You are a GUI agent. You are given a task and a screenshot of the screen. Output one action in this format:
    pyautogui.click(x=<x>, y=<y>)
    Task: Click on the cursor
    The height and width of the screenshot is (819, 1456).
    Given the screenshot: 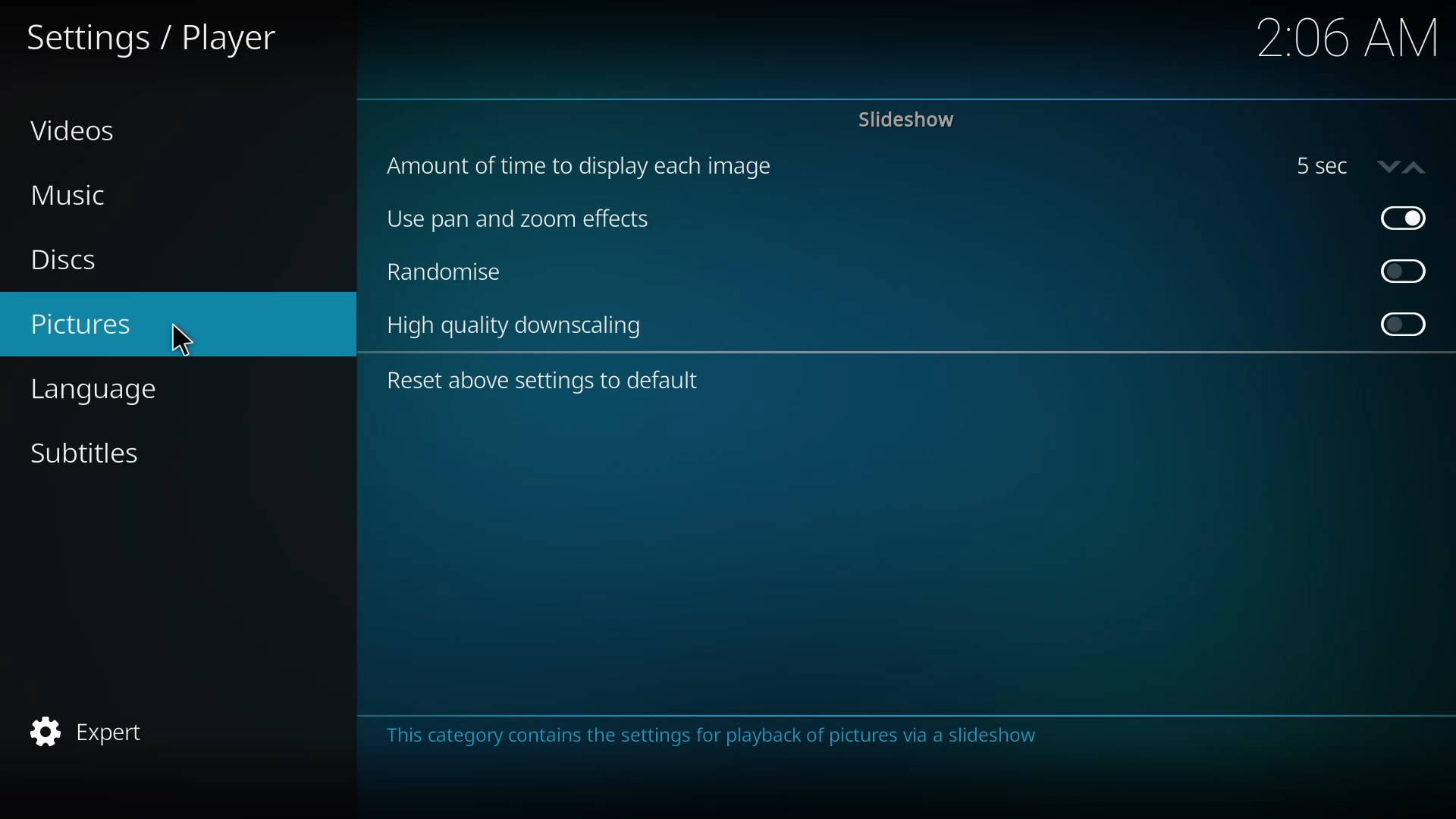 What is the action you would take?
    pyautogui.click(x=183, y=340)
    